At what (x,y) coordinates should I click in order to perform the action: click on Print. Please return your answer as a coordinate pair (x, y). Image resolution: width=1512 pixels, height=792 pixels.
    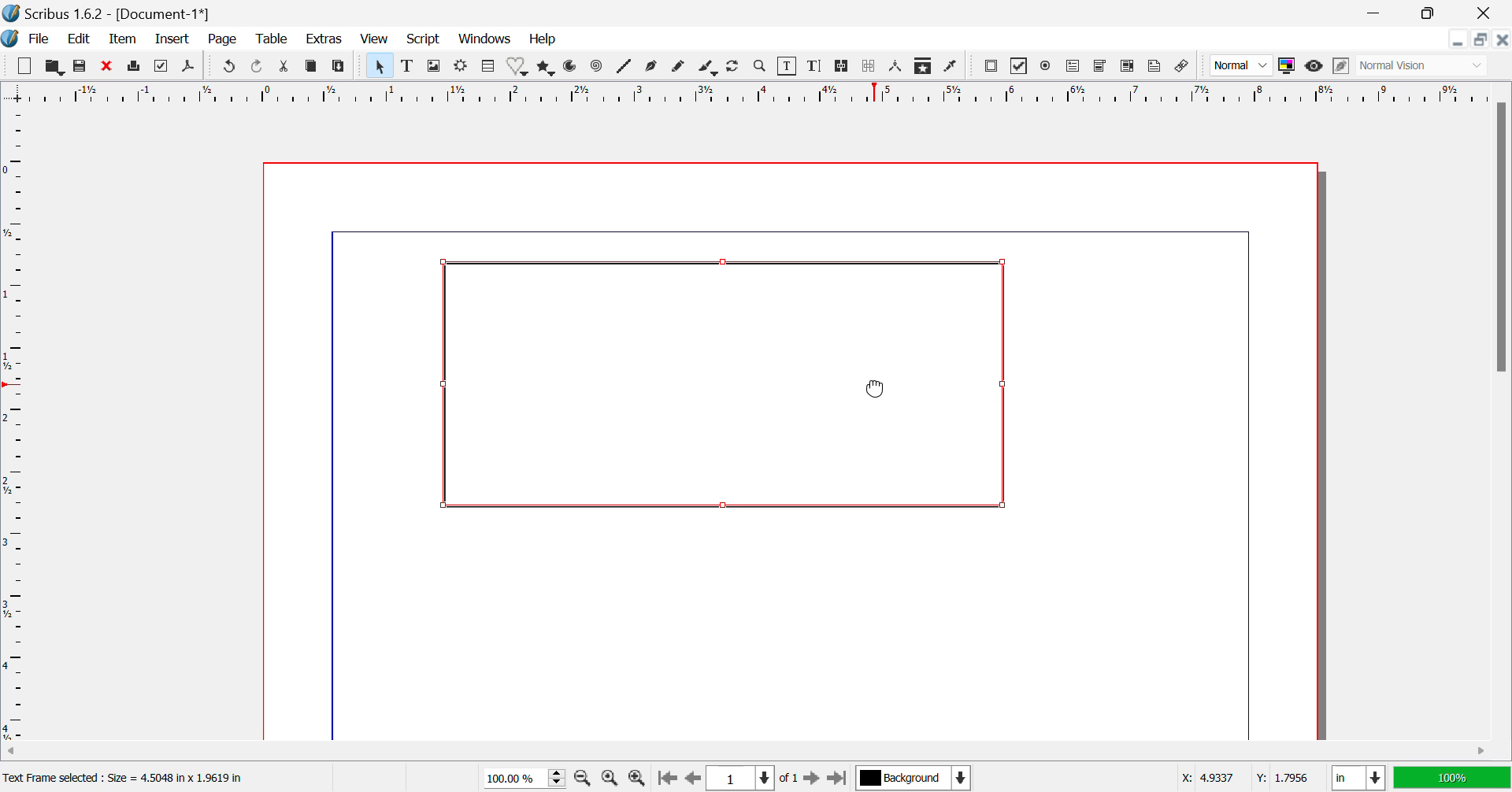
    Looking at the image, I should click on (134, 68).